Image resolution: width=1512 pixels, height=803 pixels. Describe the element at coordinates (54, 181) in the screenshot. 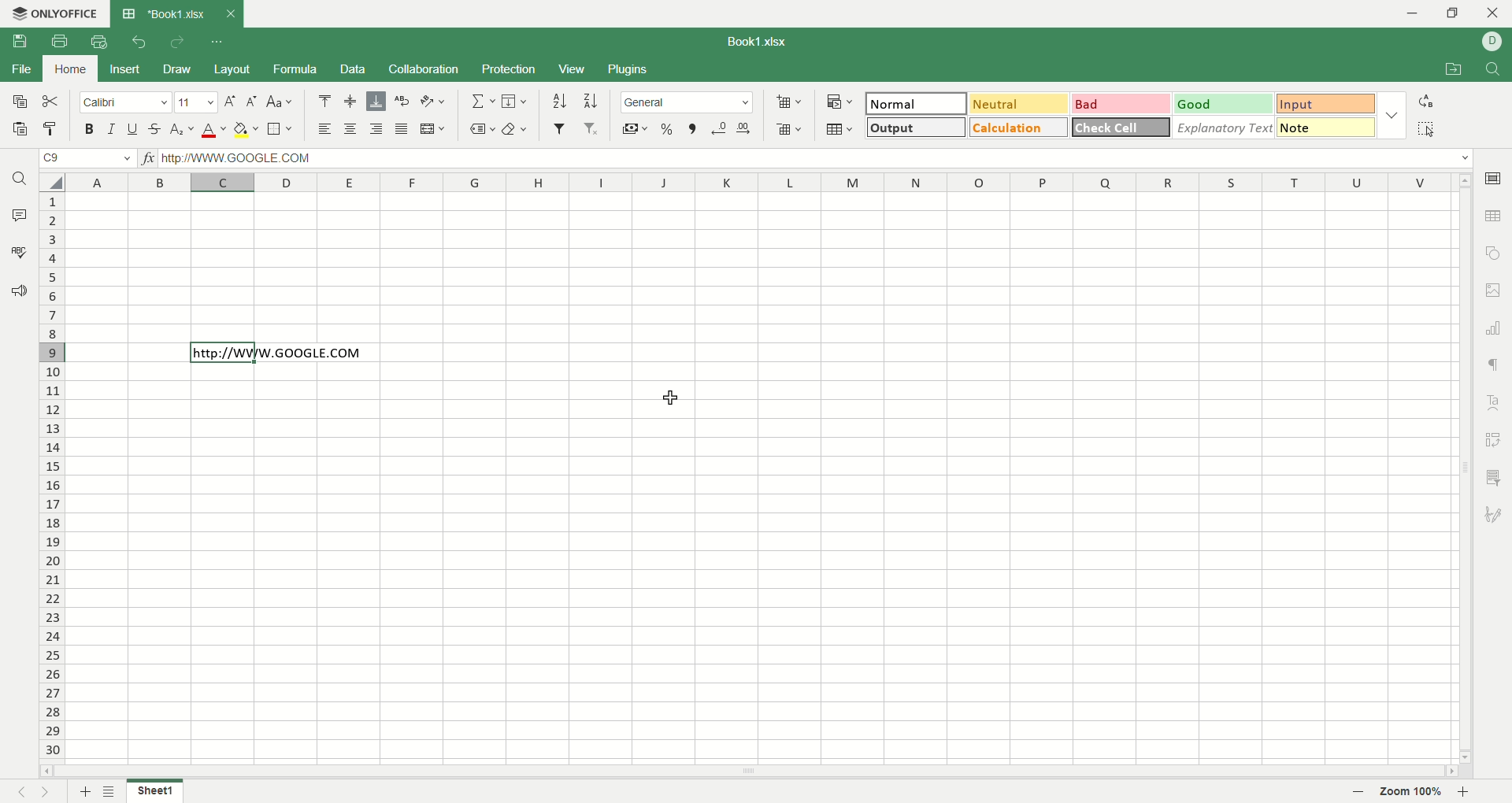

I see `select all` at that location.